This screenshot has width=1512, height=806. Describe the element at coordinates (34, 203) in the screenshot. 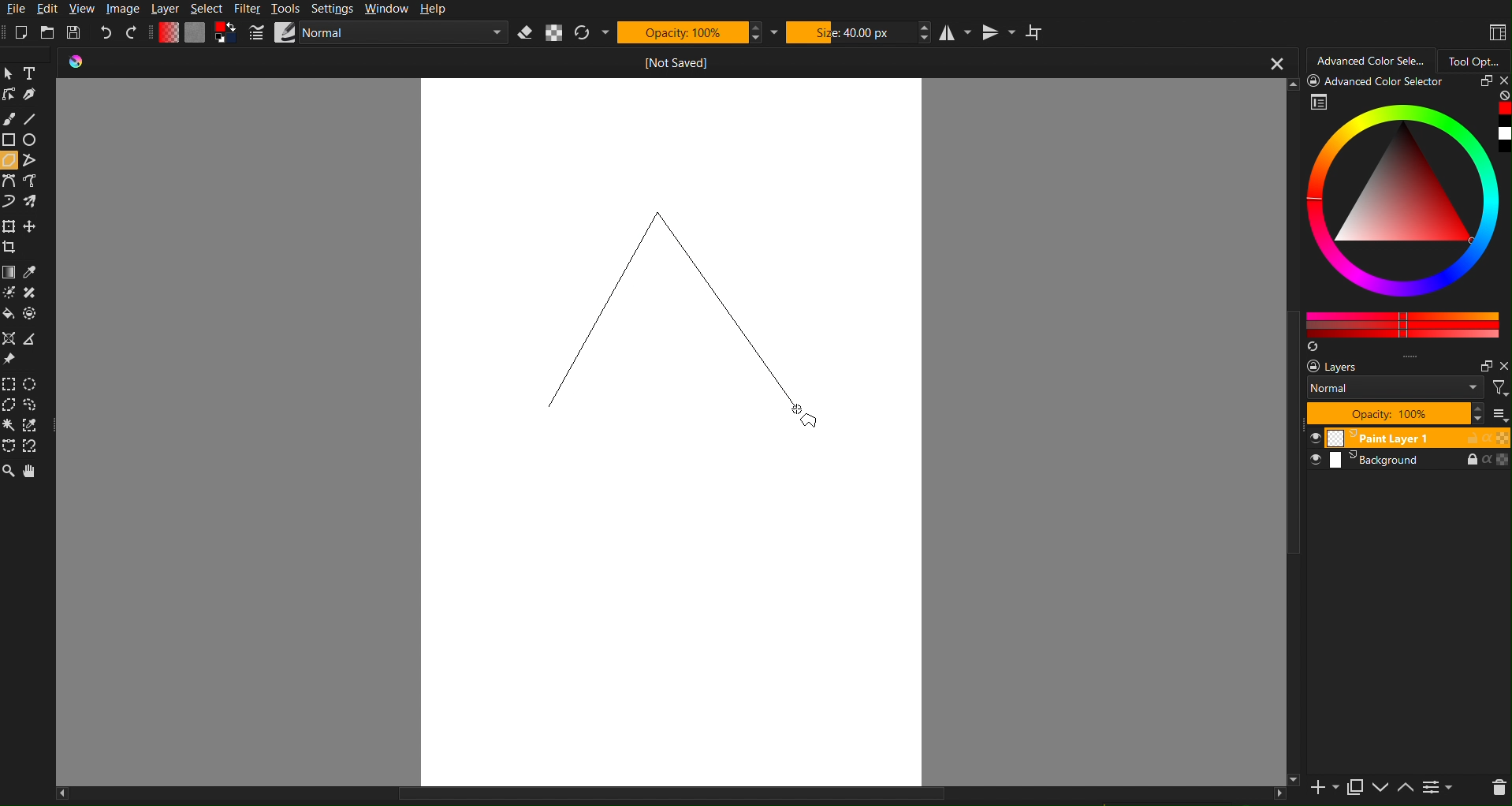

I see `multibrush tool` at that location.